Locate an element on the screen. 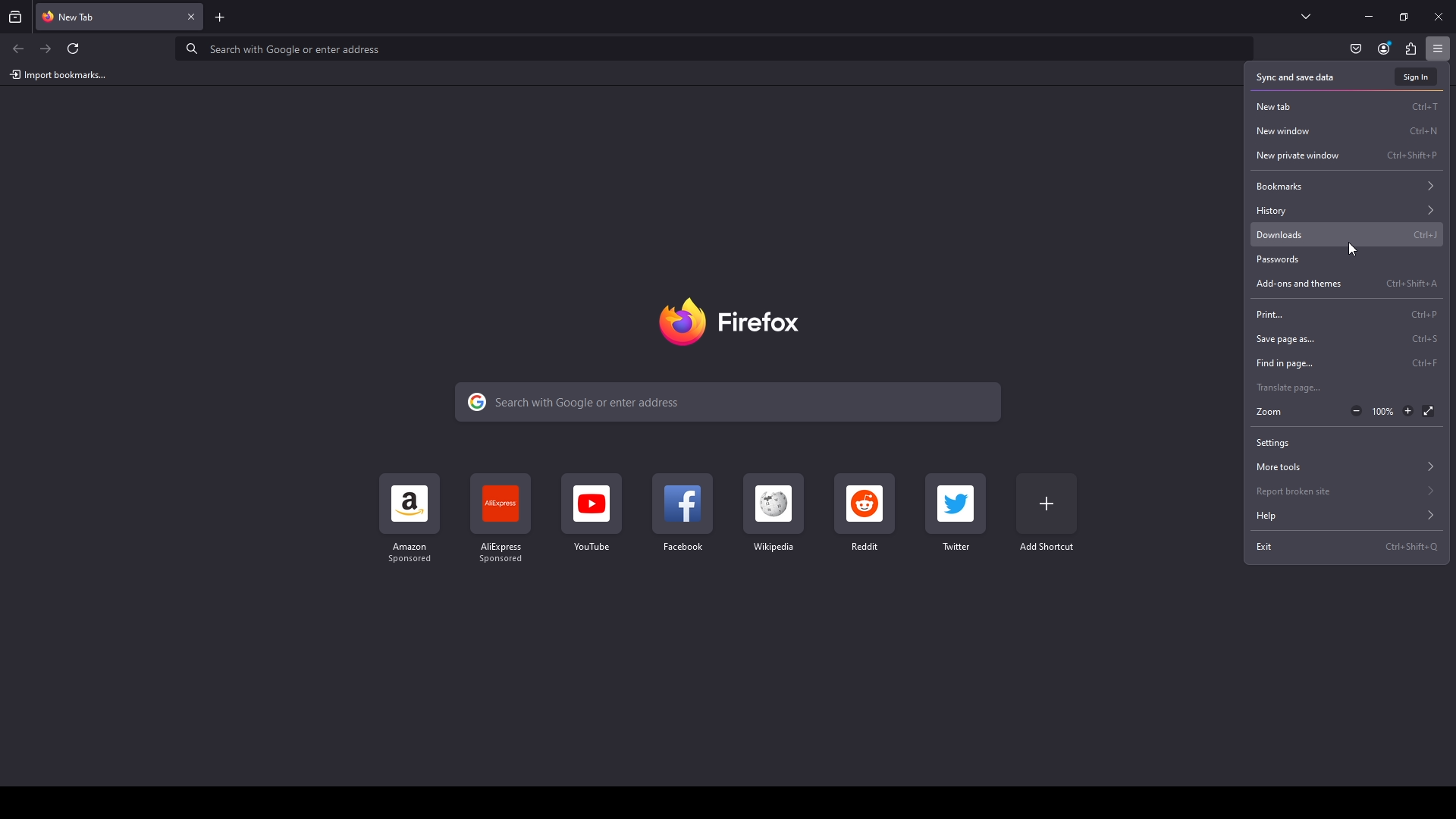  Account is located at coordinates (1384, 49).